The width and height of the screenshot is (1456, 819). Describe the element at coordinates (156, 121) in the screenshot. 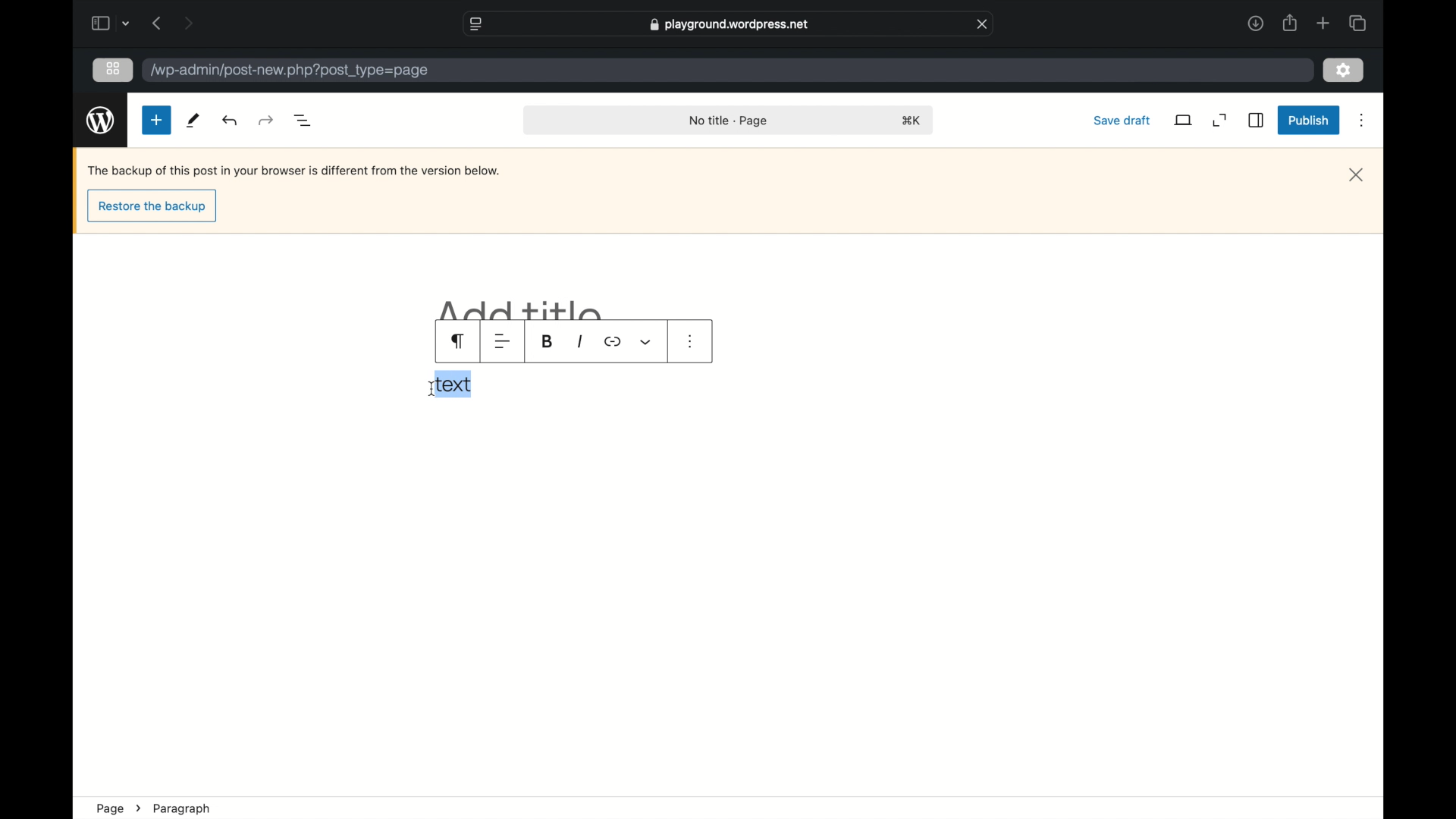

I see `new` at that location.